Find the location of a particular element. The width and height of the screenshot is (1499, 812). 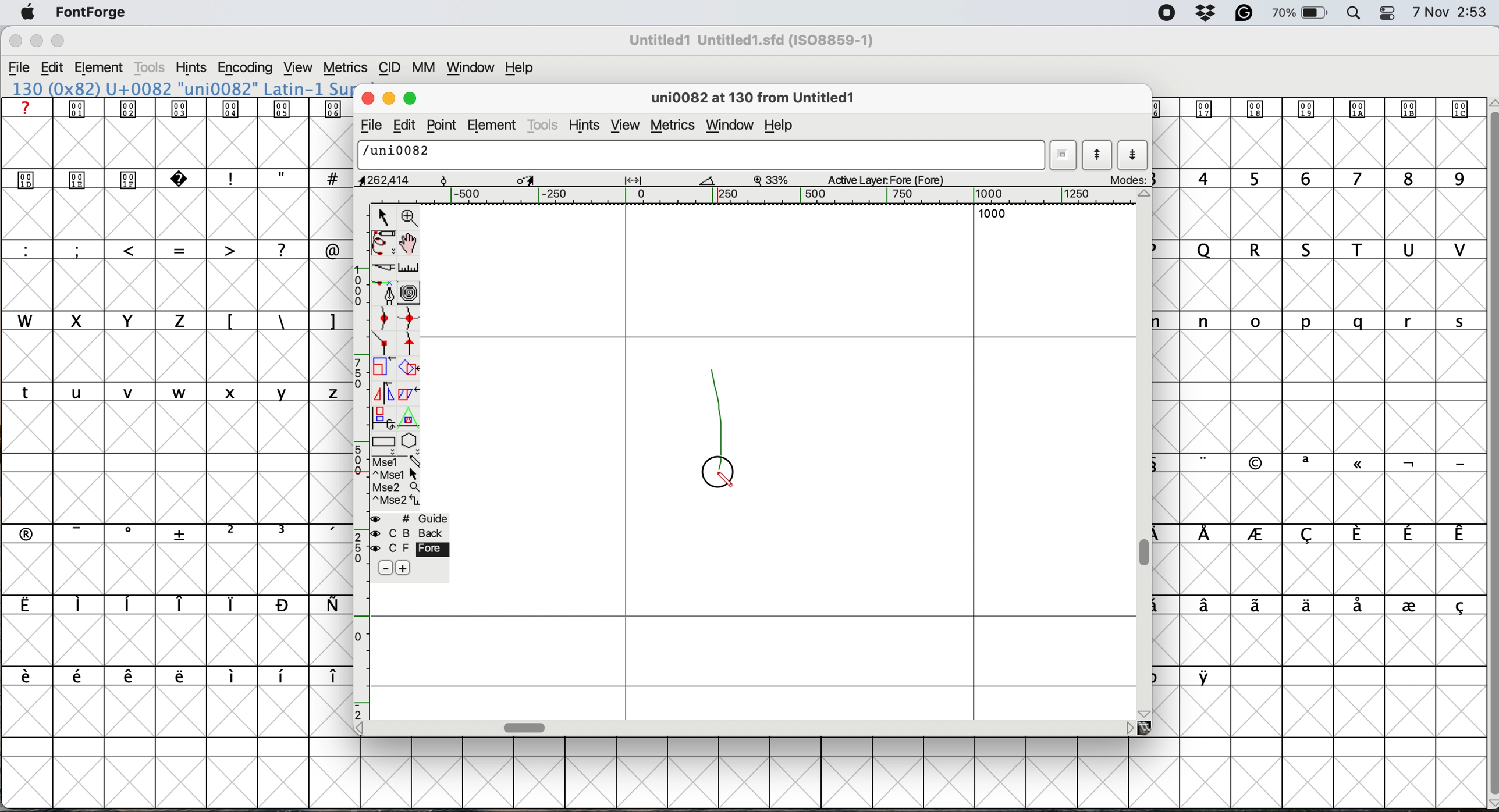

maximise is located at coordinates (411, 99).